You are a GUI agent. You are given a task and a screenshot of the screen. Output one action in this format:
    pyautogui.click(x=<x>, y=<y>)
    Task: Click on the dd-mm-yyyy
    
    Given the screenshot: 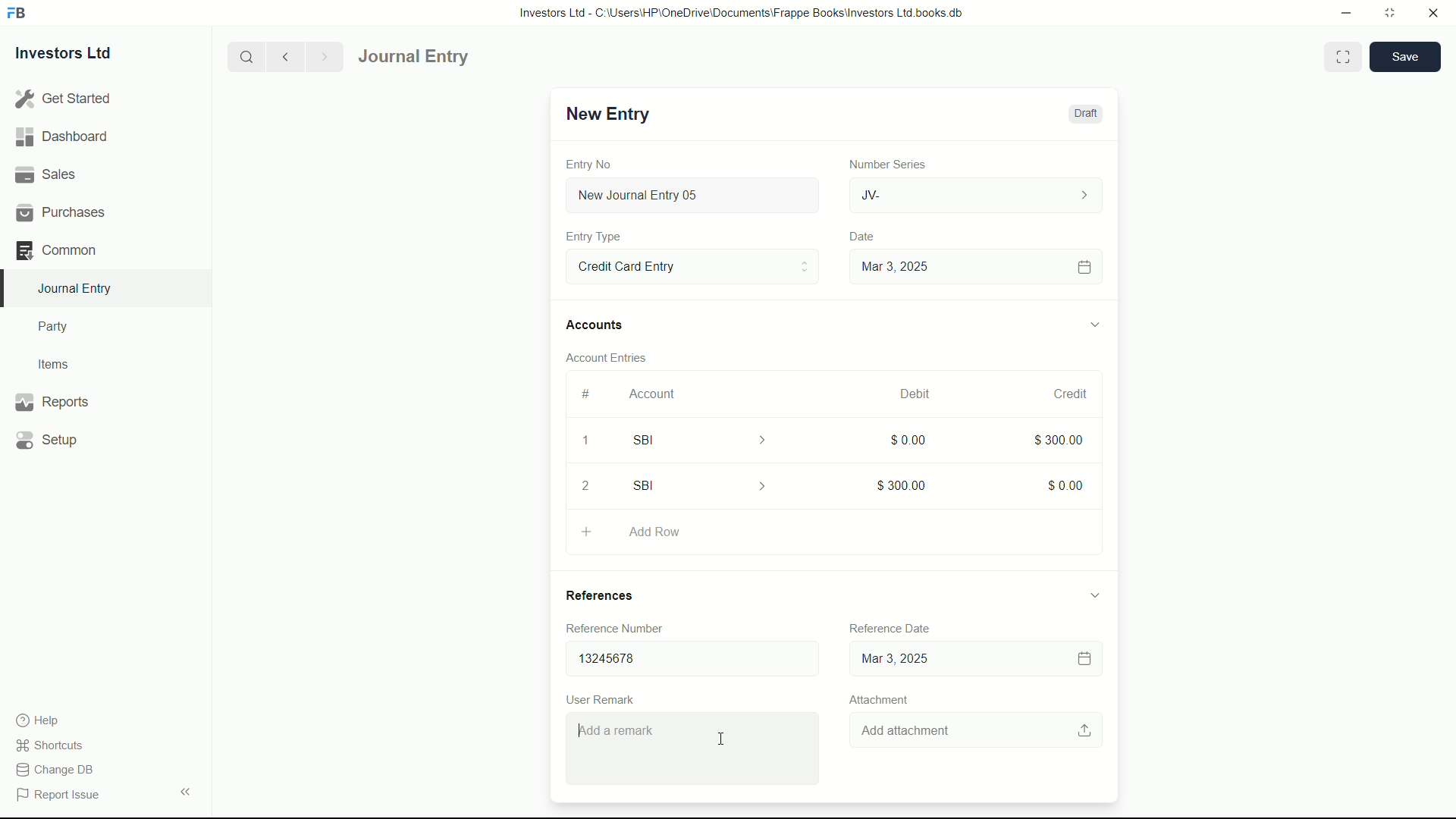 What is the action you would take?
    pyautogui.click(x=971, y=660)
    